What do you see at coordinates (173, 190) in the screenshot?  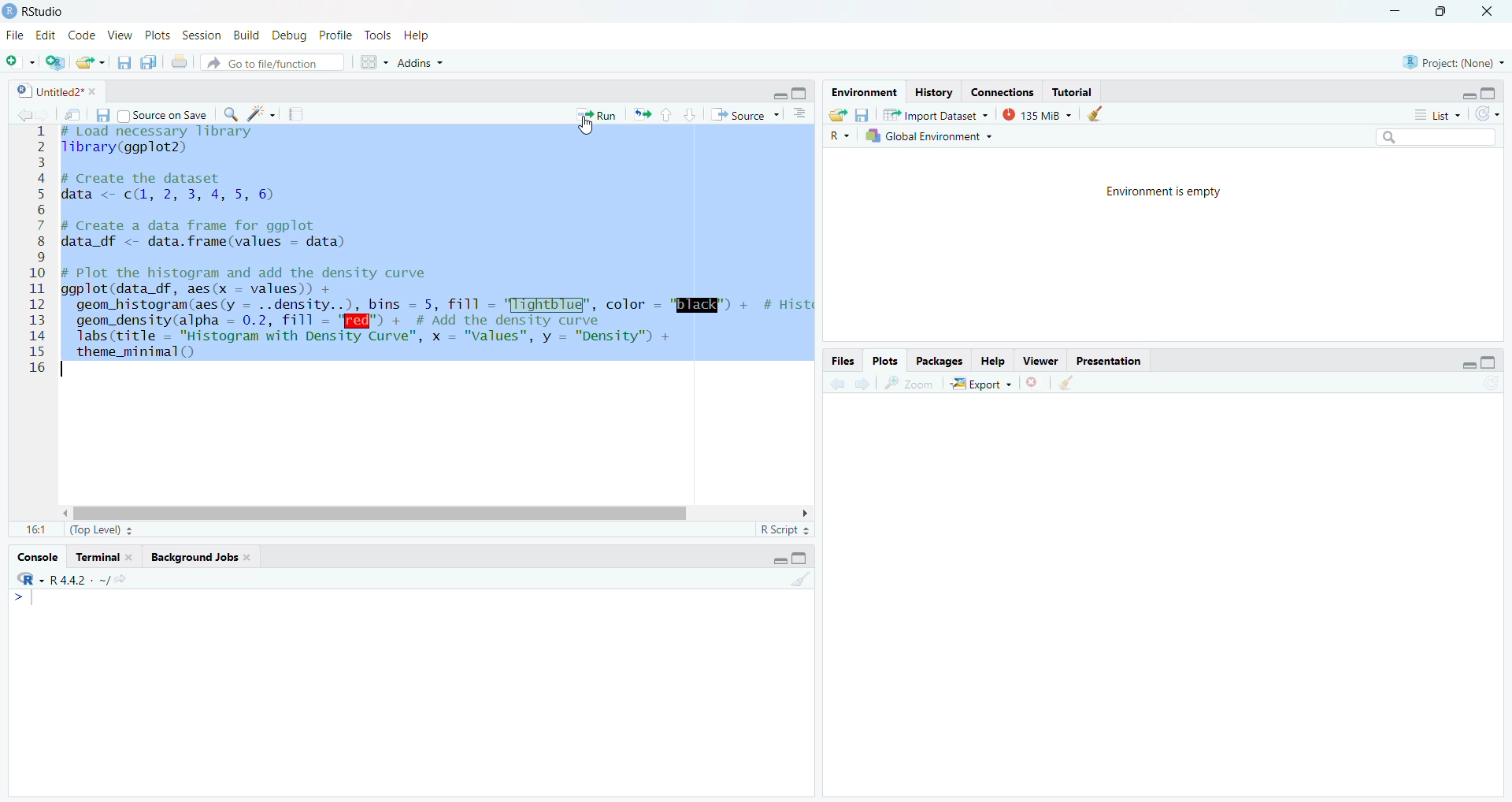 I see `# Create the dataset
data <- c(, 2, 3, 4, 5, 6)` at bounding box center [173, 190].